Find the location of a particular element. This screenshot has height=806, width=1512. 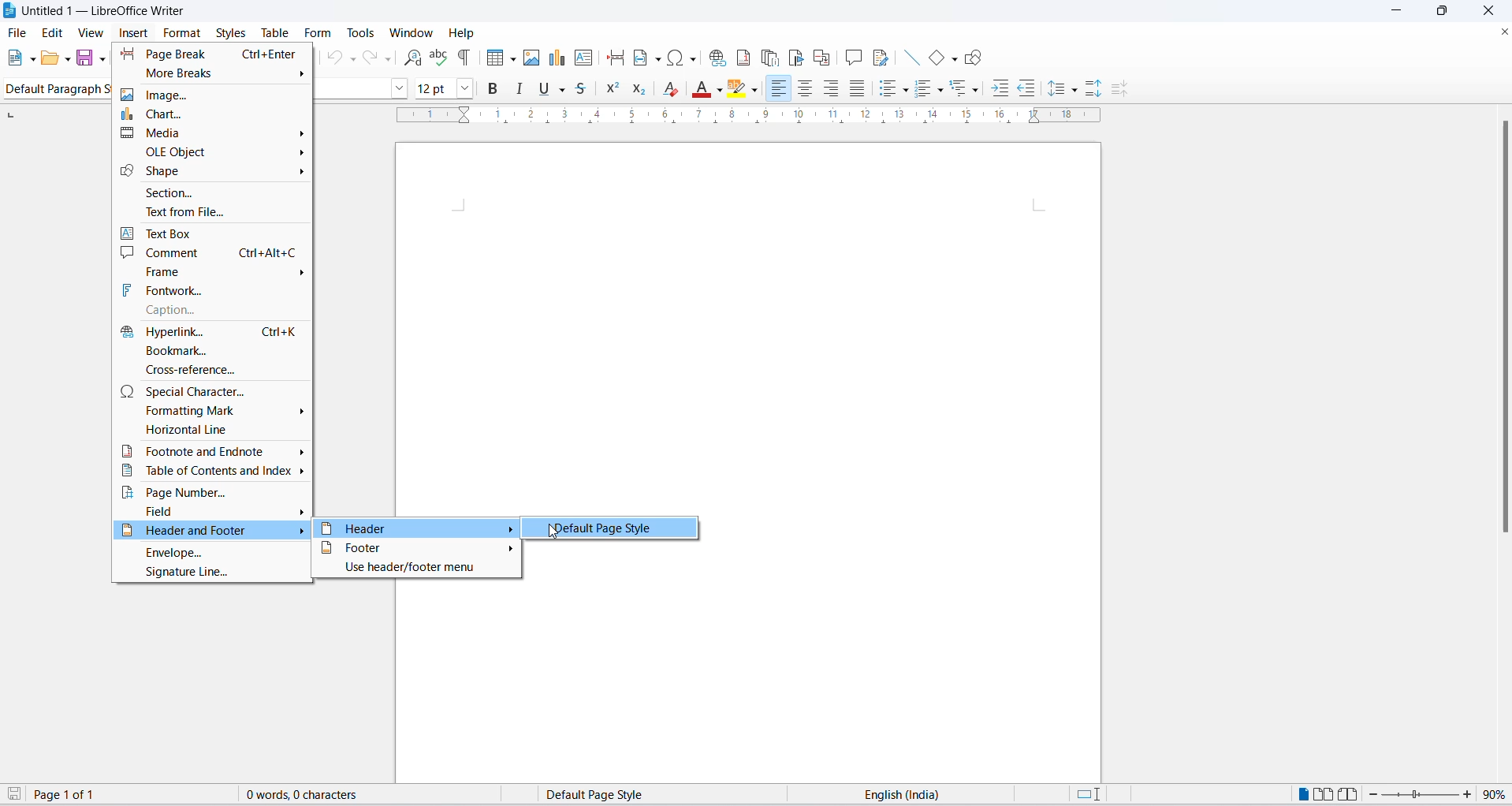

decrease zoom is located at coordinates (1371, 795).